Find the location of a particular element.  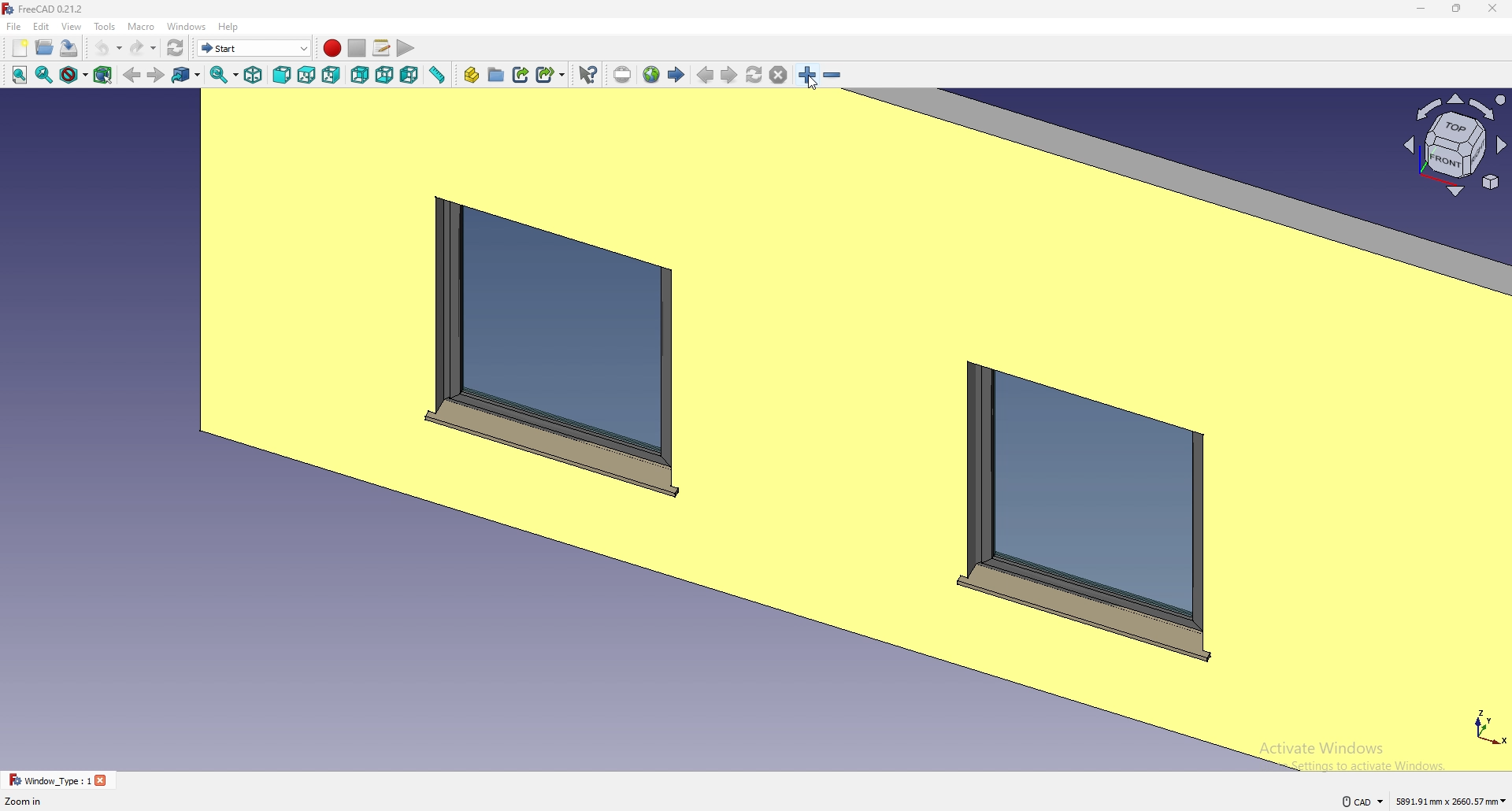

refresh web page is located at coordinates (755, 74).